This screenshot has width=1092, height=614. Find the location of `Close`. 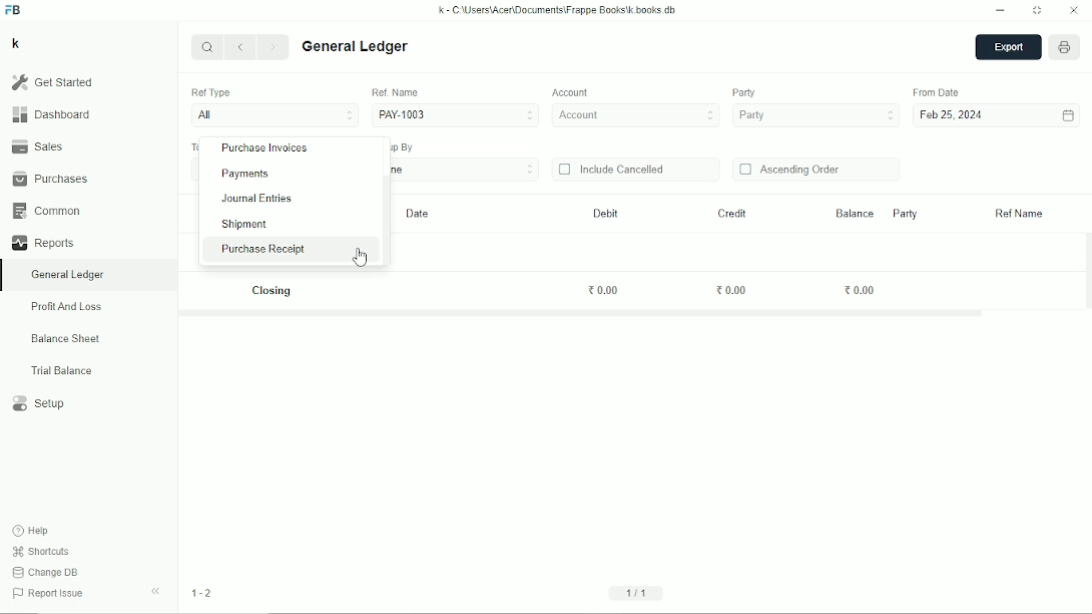

Close is located at coordinates (1074, 11).